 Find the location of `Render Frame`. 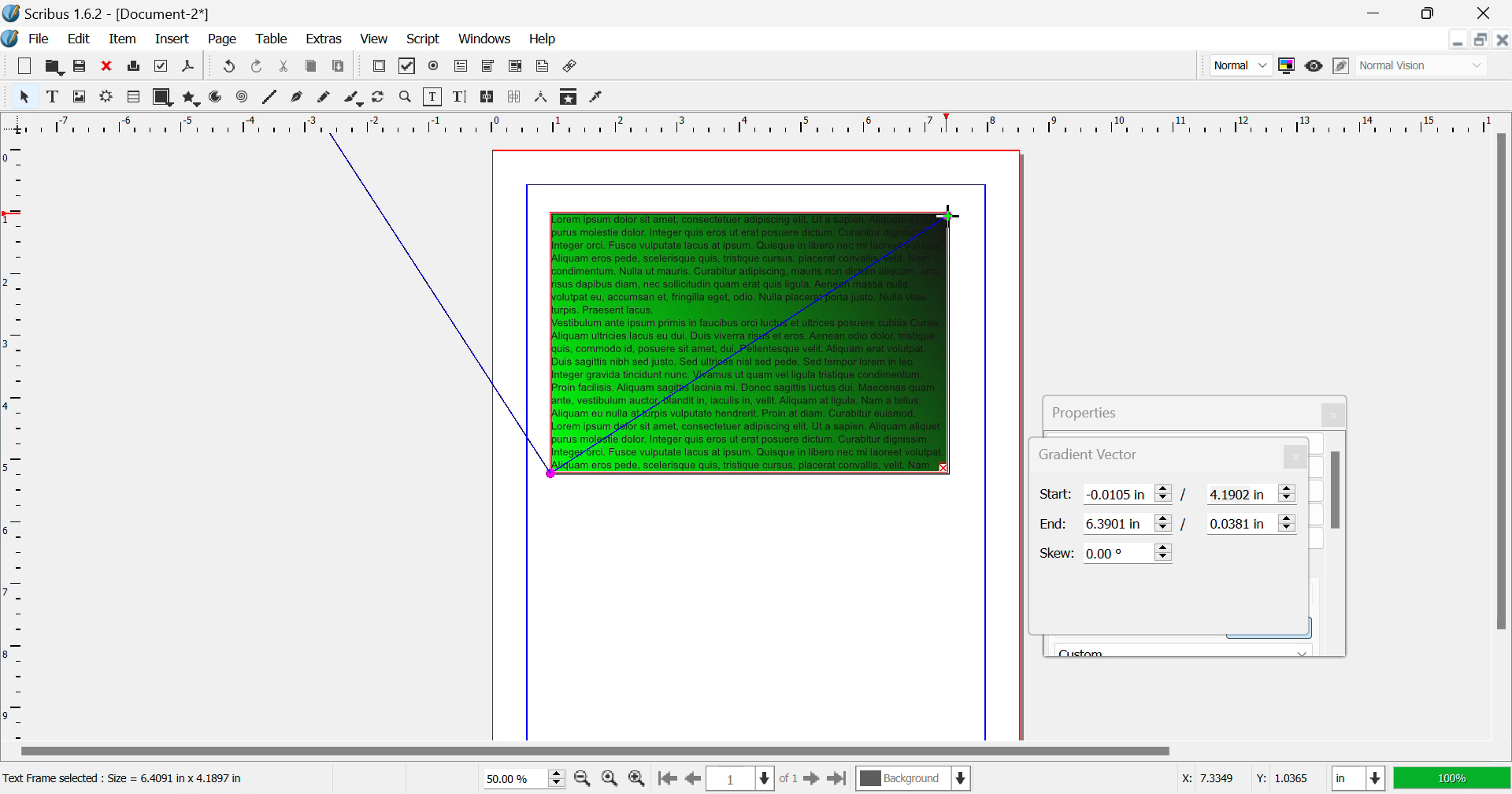

Render Frame is located at coordinates (132, 98).